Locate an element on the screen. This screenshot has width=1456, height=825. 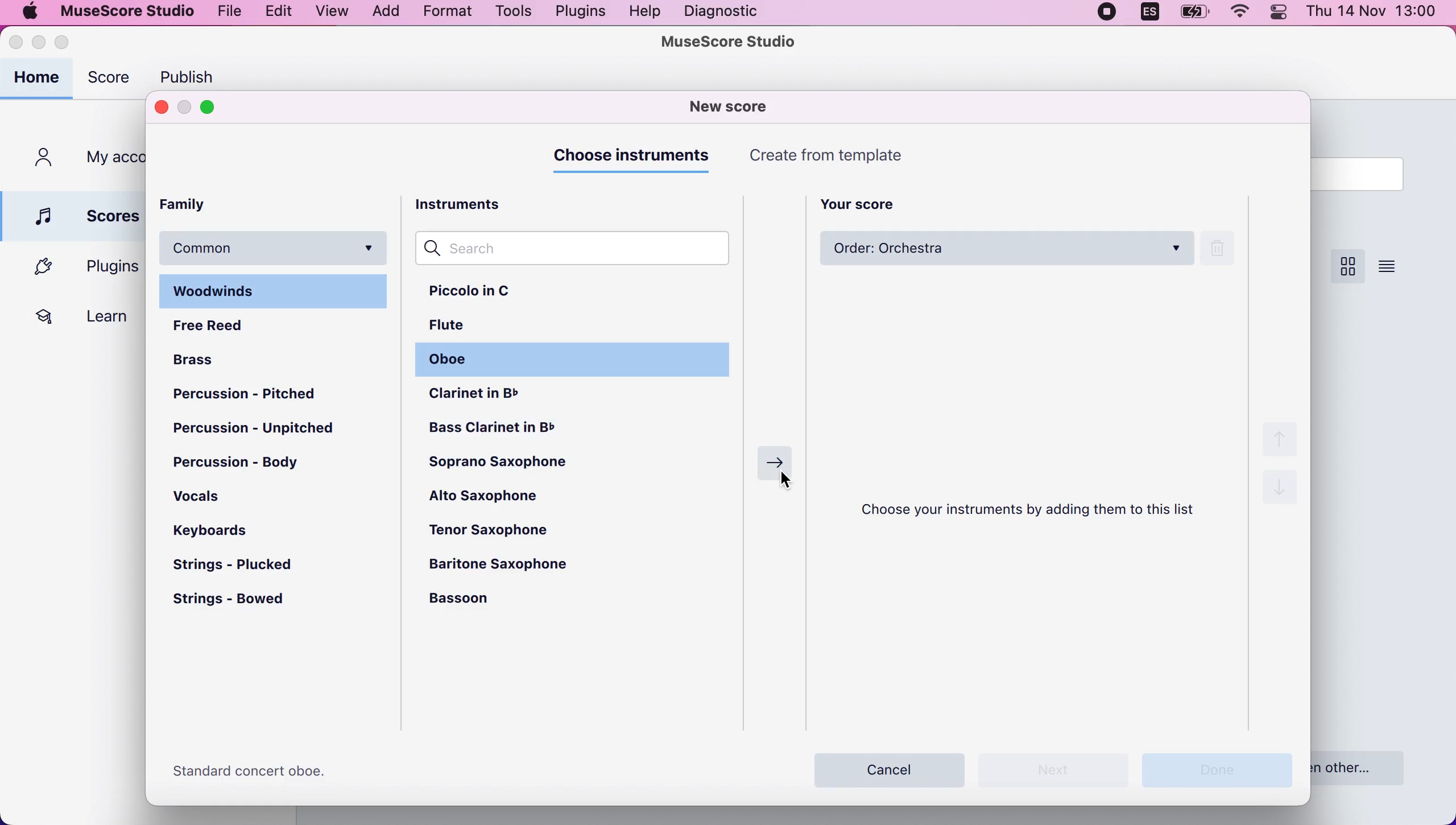
Standard concert oboe. is located at coordinates (258, 772).